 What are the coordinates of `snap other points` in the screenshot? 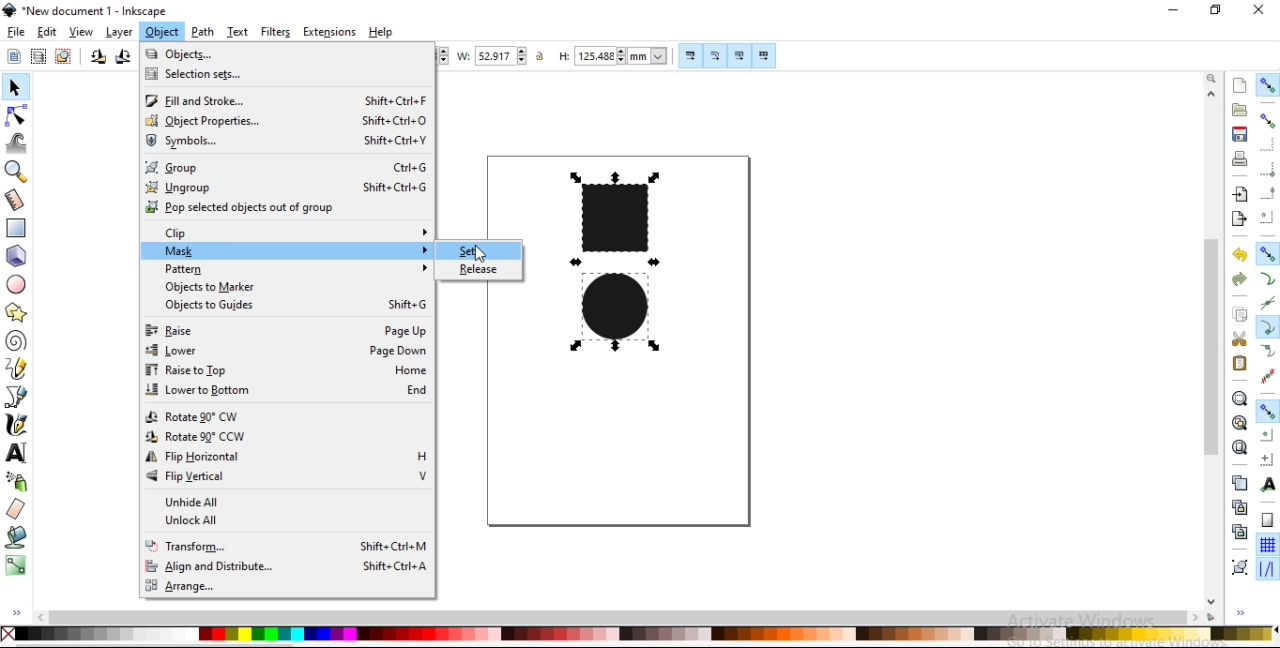 It's located at (1268, 411).